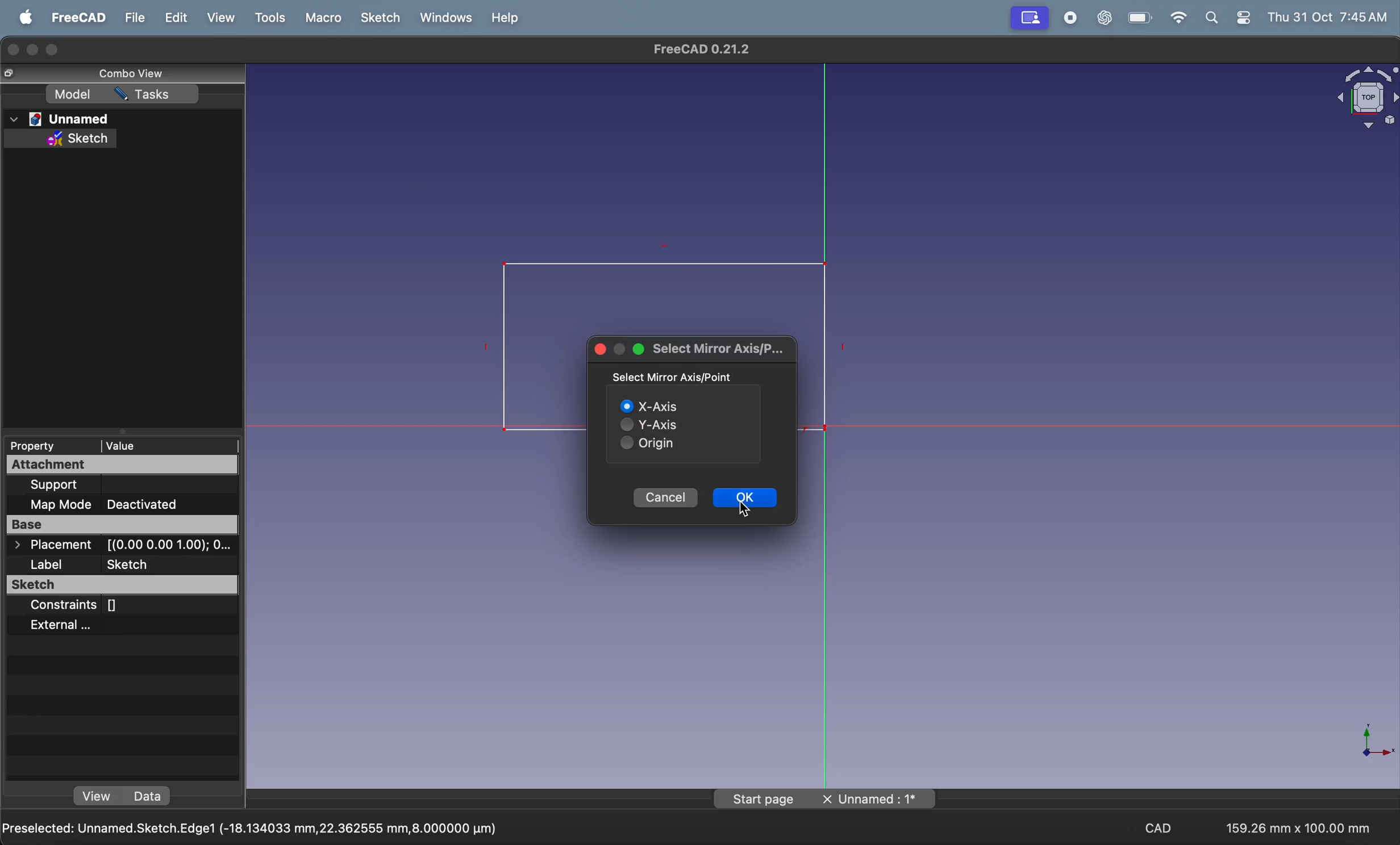 This screenshot has width=1400, height=845. I want to click on cursor, so click(15, 74).